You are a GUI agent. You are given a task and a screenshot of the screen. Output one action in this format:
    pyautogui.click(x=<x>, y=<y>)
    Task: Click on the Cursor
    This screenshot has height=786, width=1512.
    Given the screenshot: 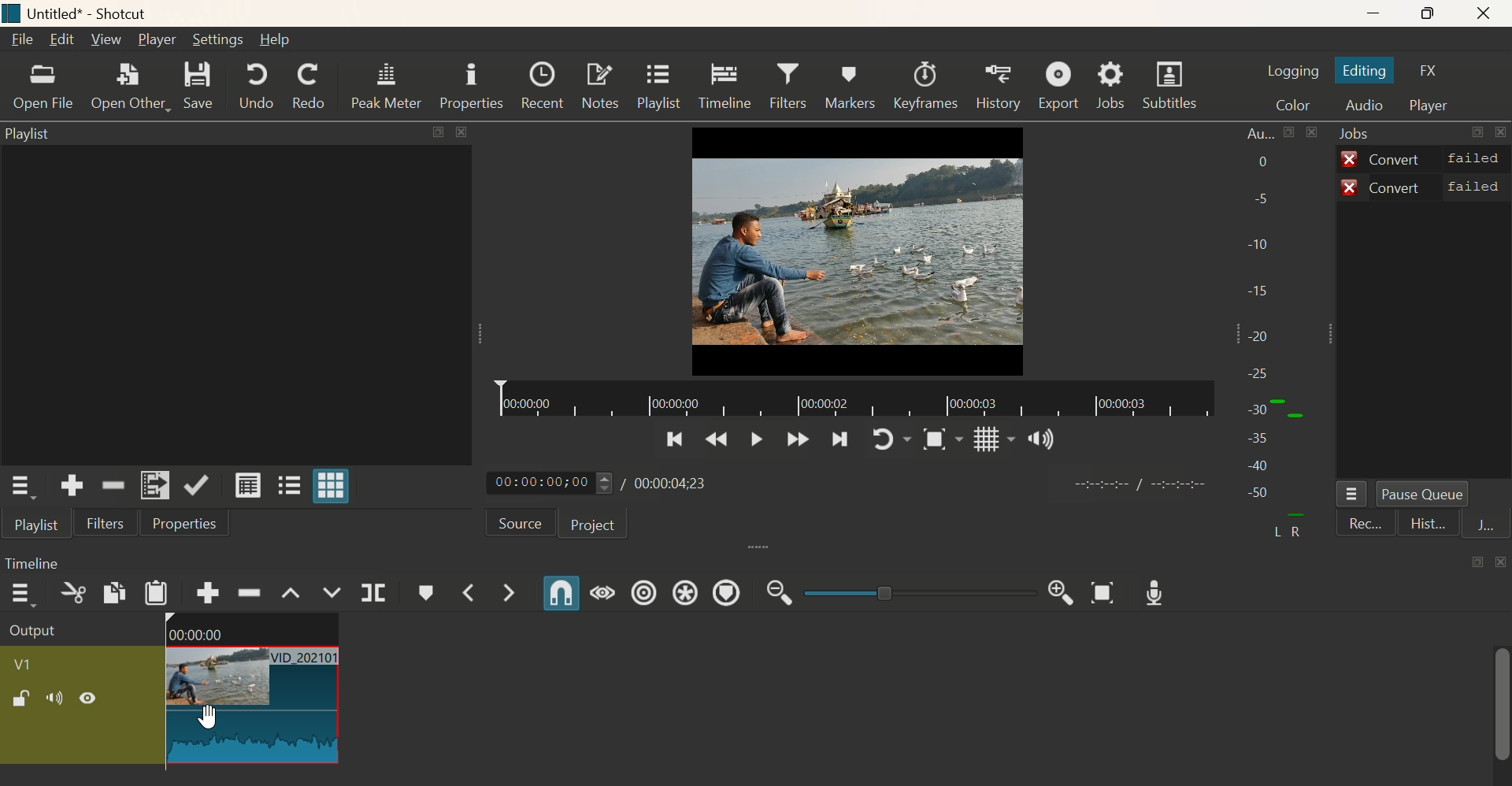 What is the action you would take?
    pyautogui.click(x=209, y=714)
    